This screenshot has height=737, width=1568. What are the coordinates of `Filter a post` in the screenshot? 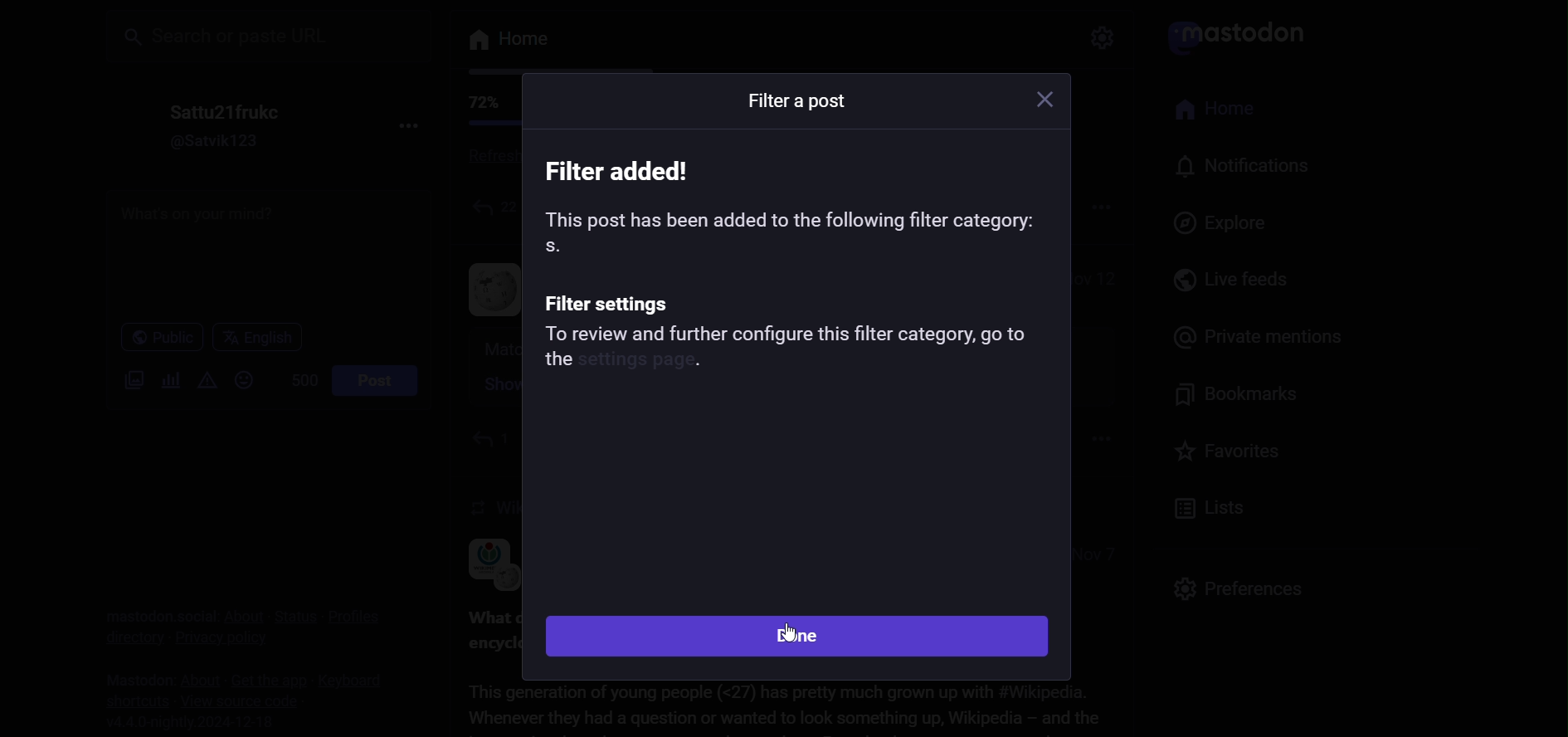 It's located at (798, 101).